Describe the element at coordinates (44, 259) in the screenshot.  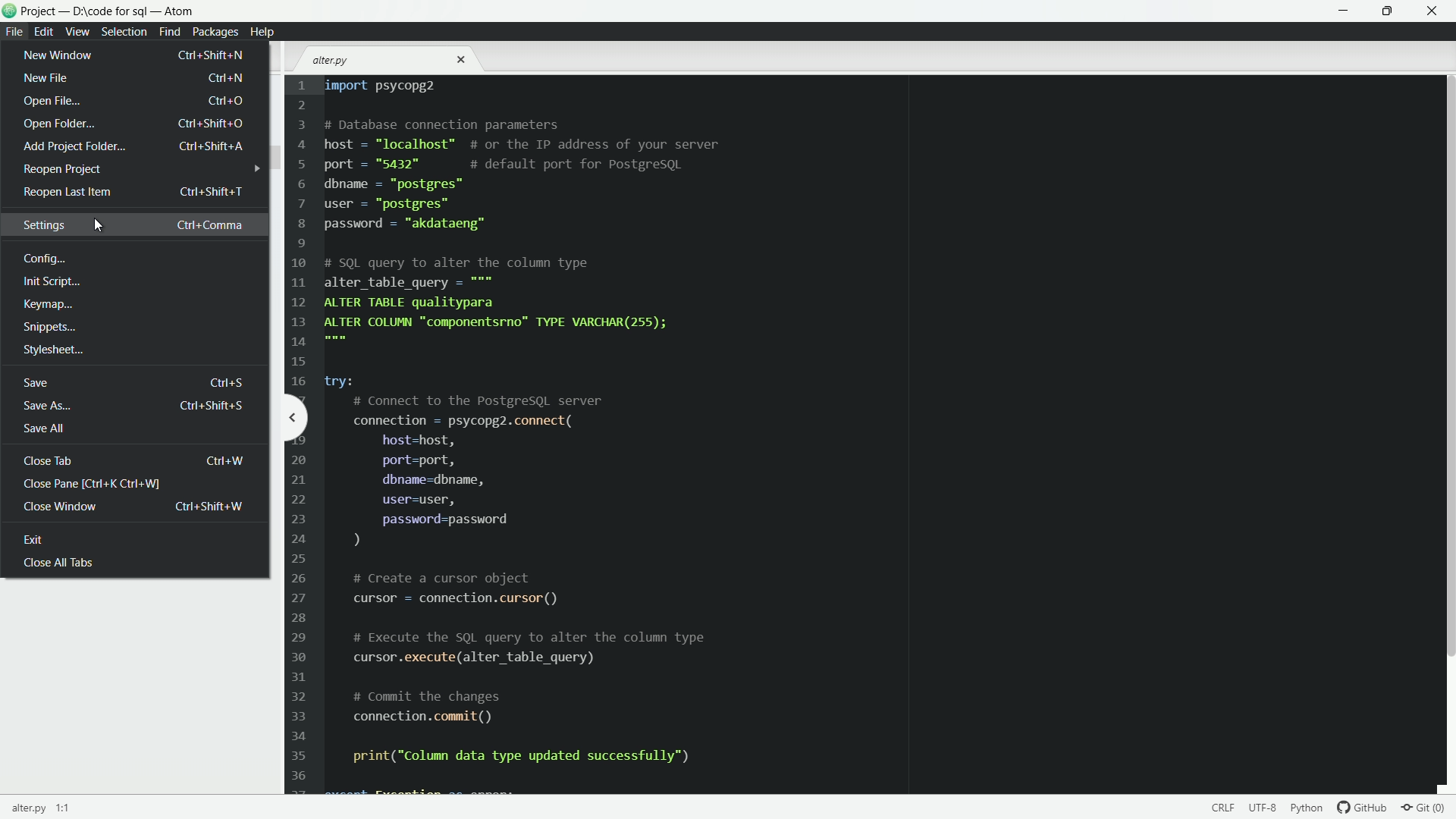
I see `config` at that location.